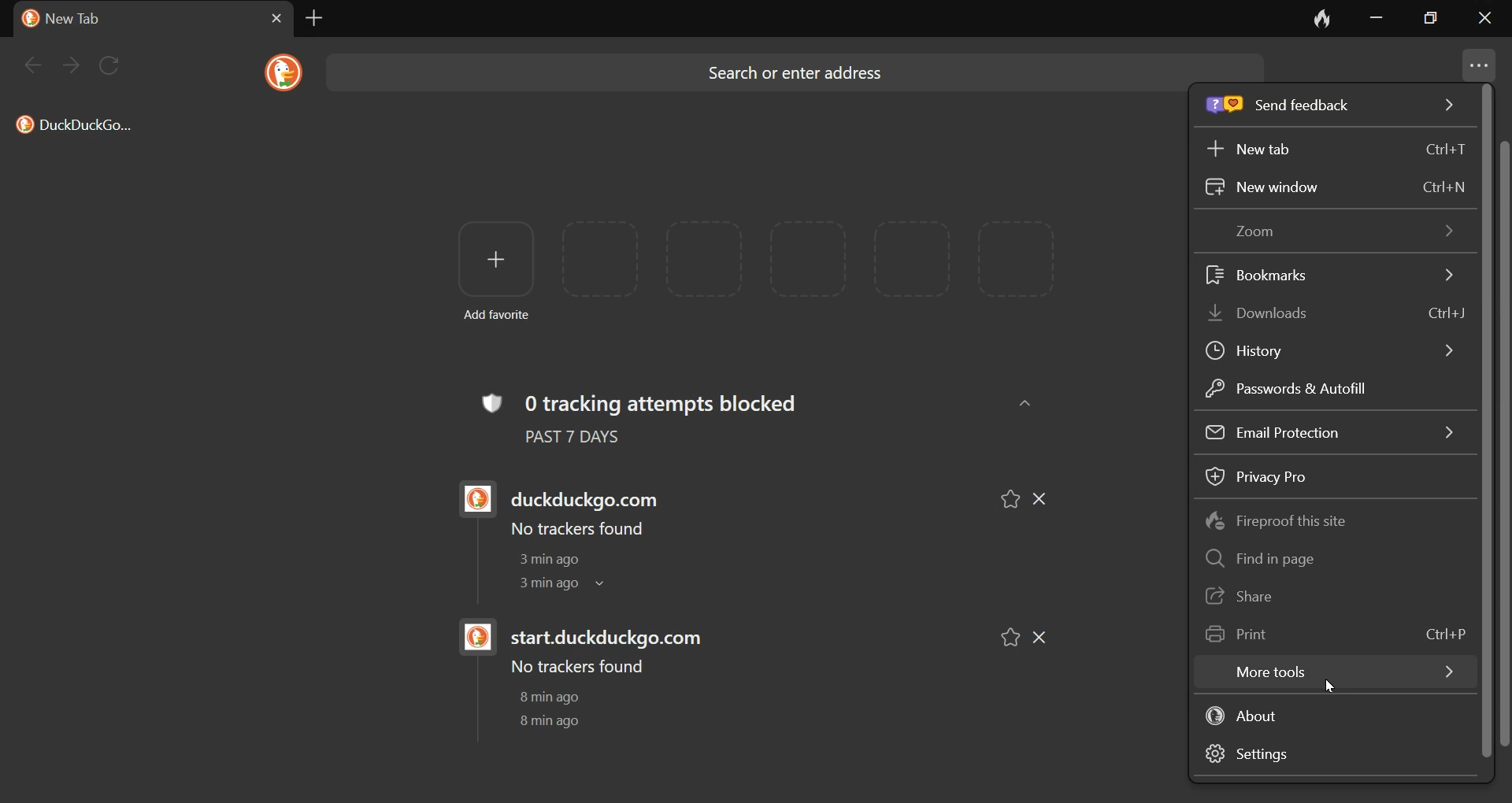 This screenshot has height=803, width=1512. Describe the element at coordinates (543, 585) in the screenshot. I see `3 min ago` at that location.